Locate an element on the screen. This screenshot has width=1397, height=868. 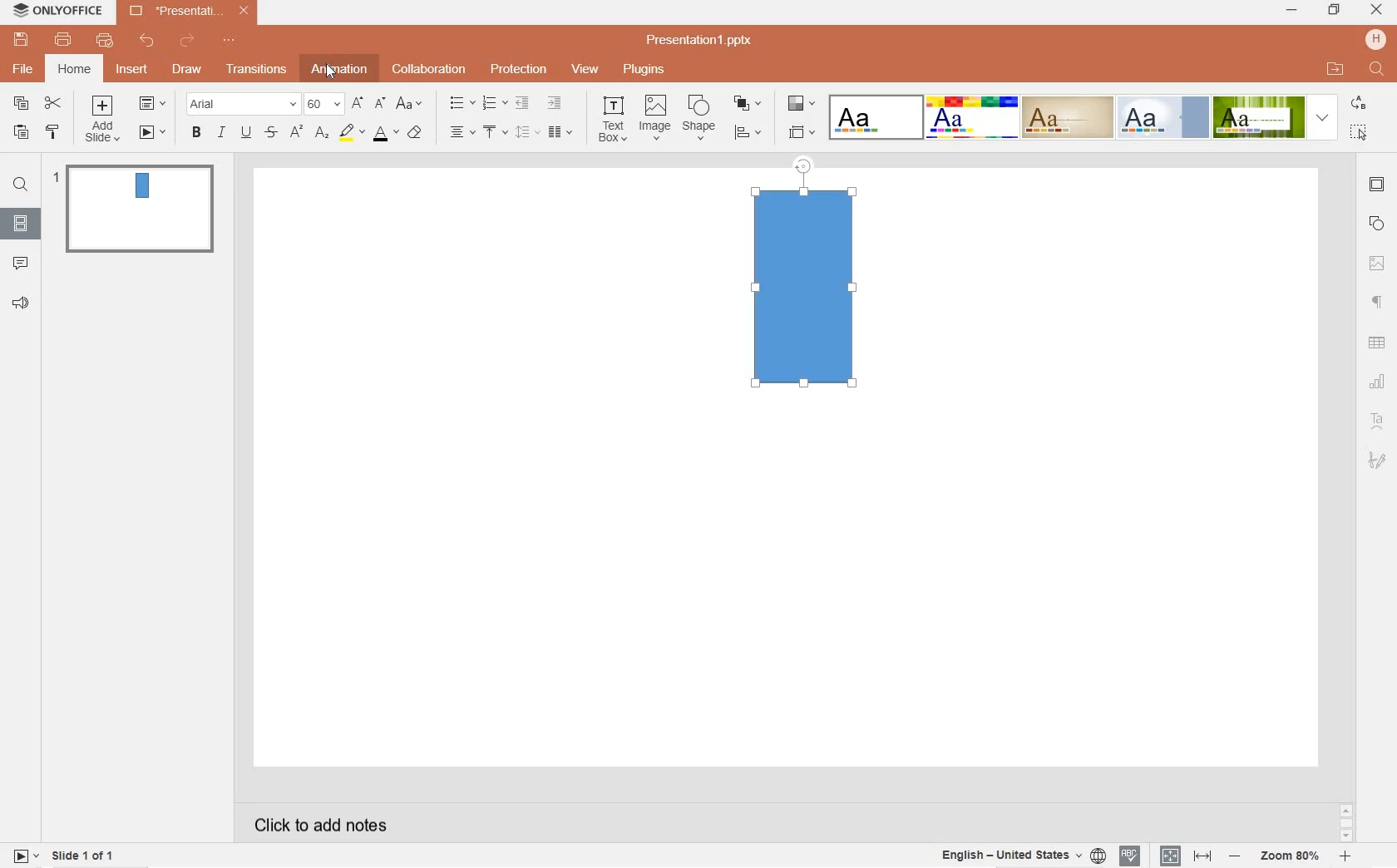
superscript is located at coordinates (296, 133).